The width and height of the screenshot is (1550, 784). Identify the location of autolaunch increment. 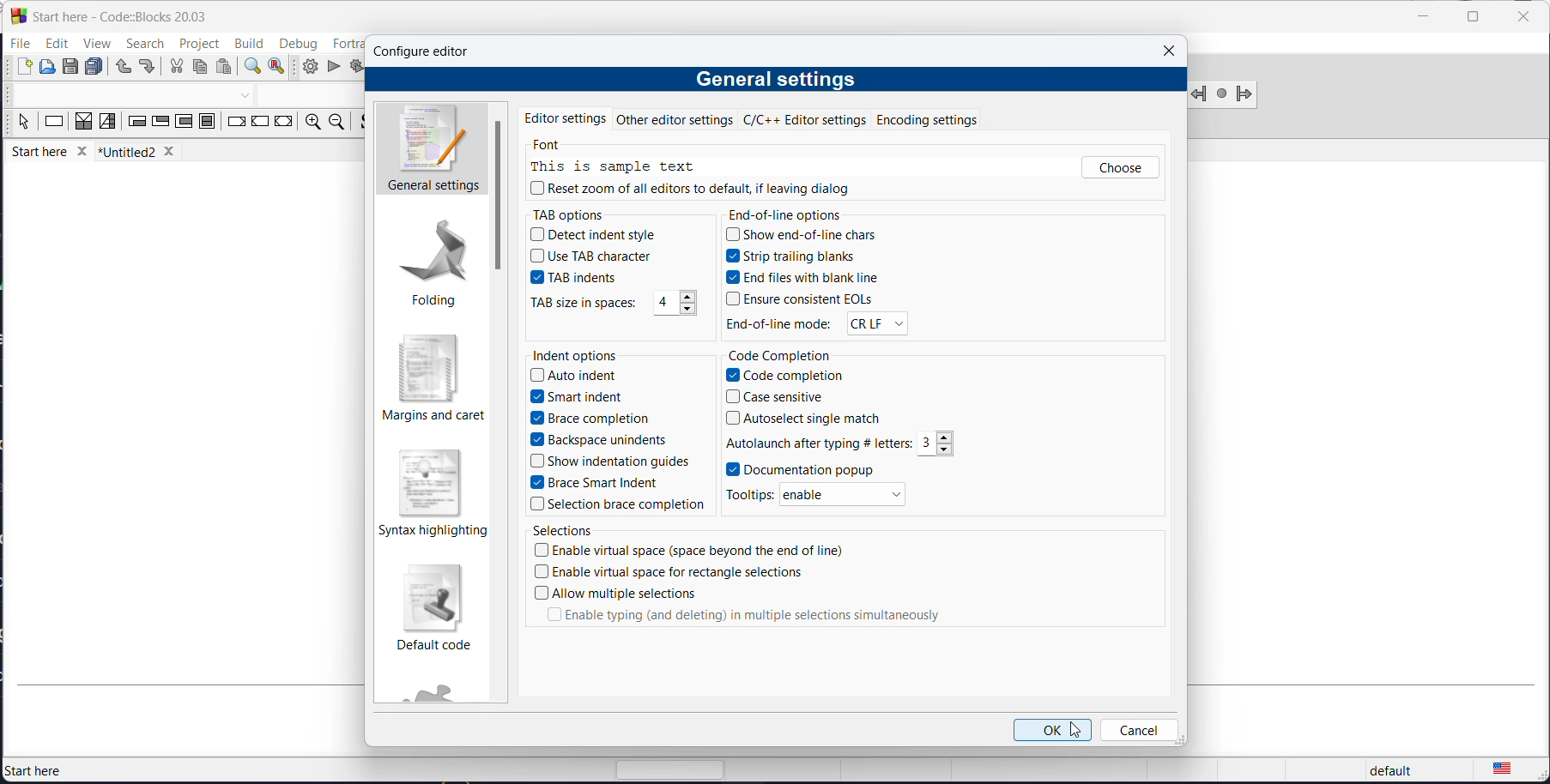
(944, 437).